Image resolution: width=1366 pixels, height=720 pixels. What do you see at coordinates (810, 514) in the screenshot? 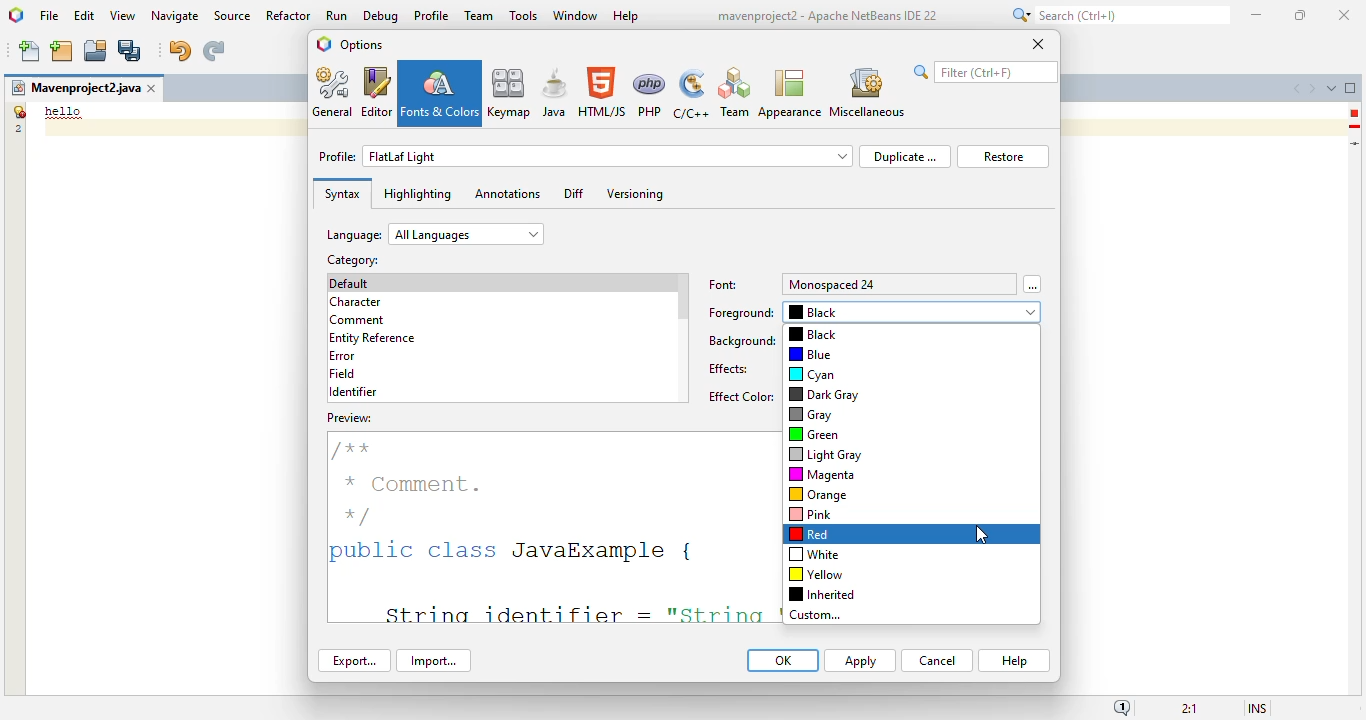
I see `pink` at bounding box center [810, 514].